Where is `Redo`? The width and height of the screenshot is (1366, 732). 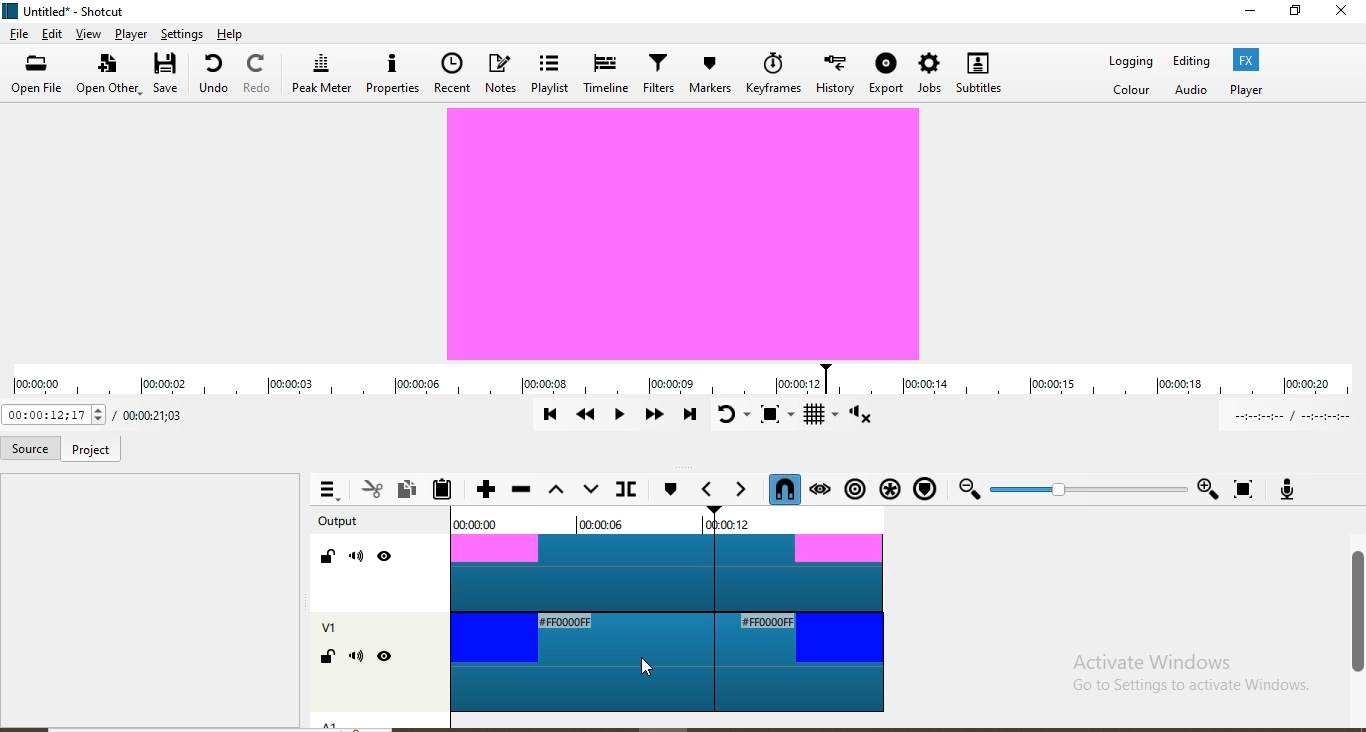
Redo is located at coordinates (257, 78).